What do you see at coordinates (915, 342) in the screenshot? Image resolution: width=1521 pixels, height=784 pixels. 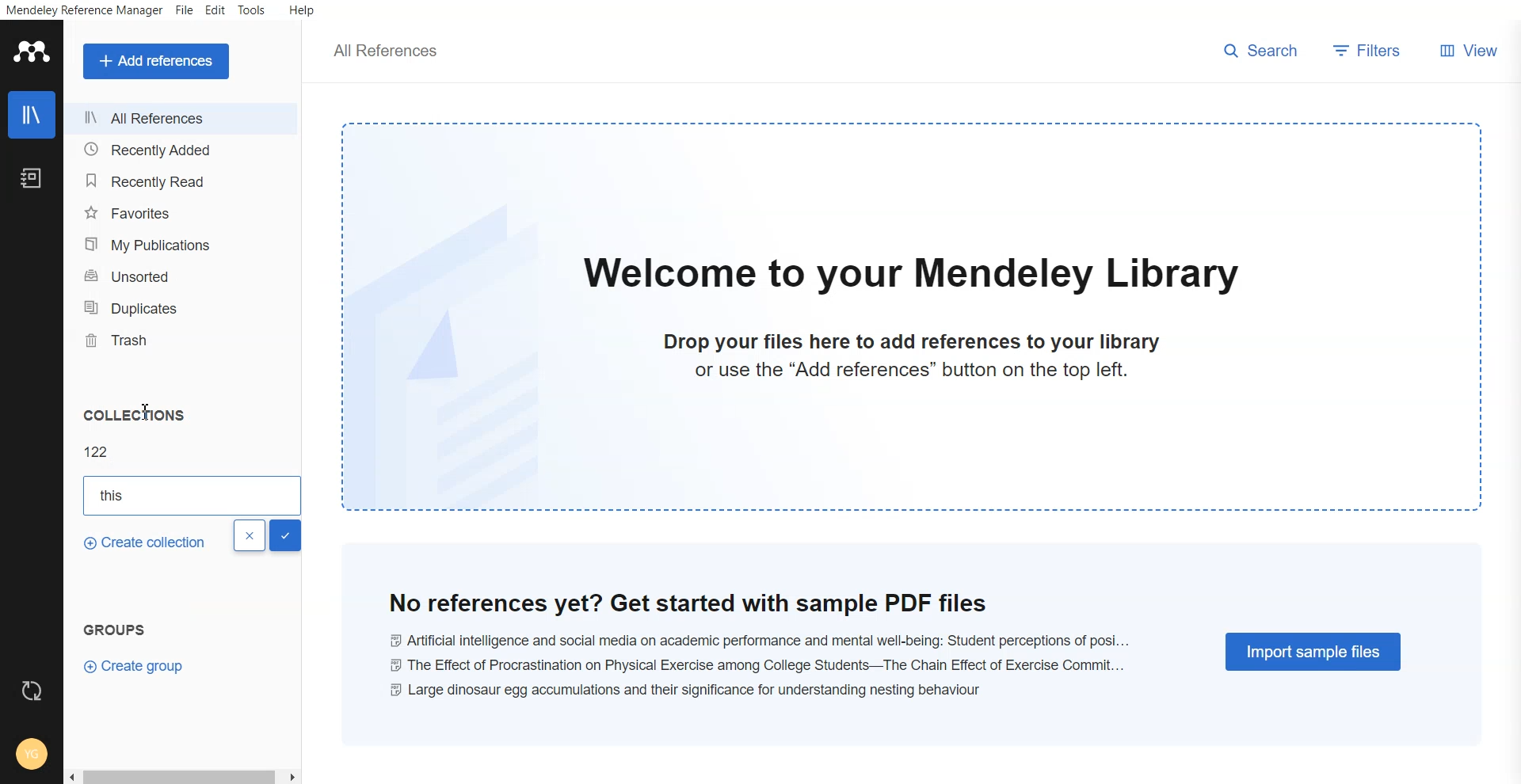 I see `drop your files here to add references to your library` at bounding box center [915, 342].